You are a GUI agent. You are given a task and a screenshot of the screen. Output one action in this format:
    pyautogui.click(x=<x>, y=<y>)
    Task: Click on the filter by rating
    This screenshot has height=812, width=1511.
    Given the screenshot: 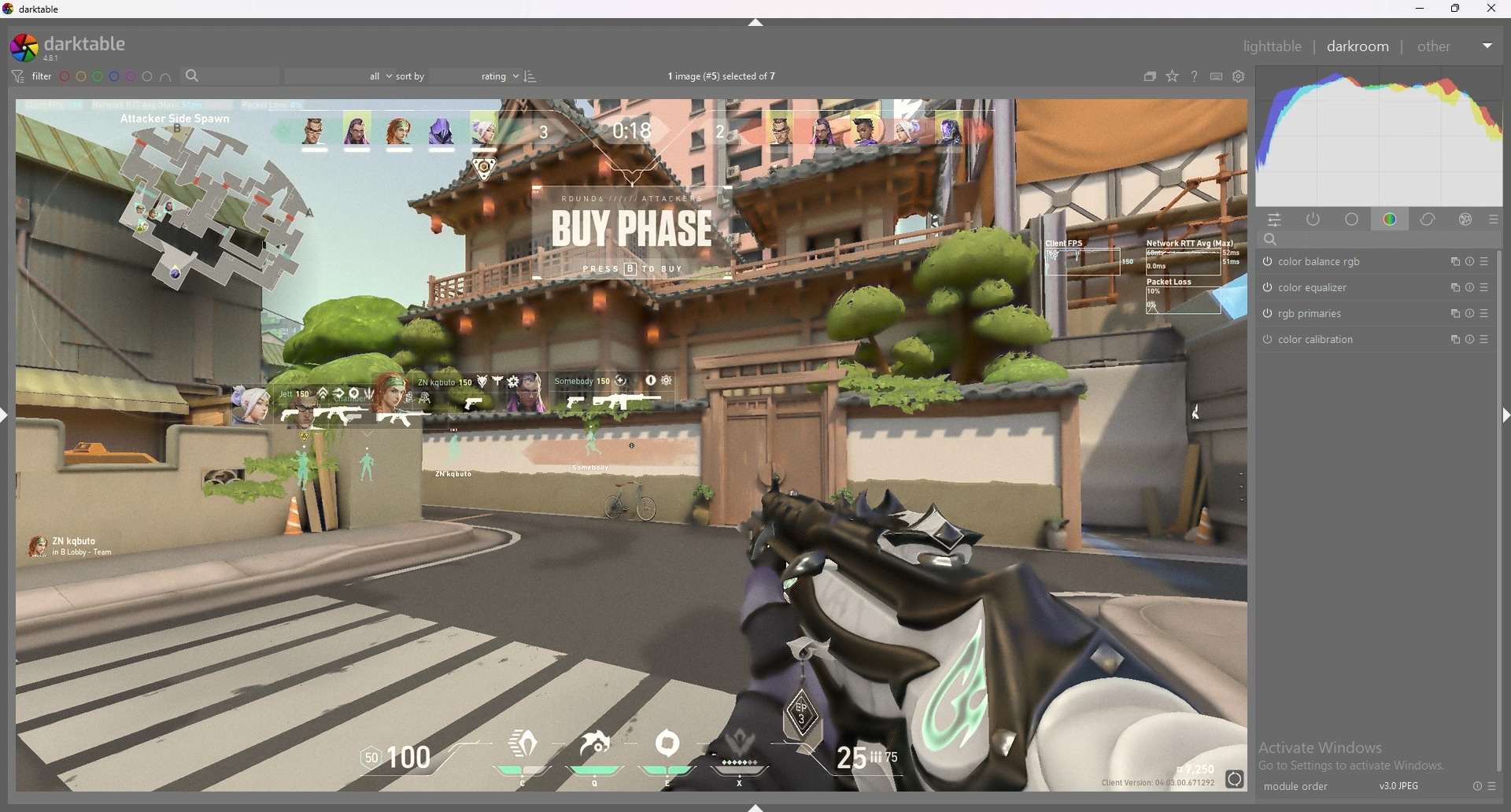 What is the action you would take?
    pyautogui.click(x=338, y=76)
    